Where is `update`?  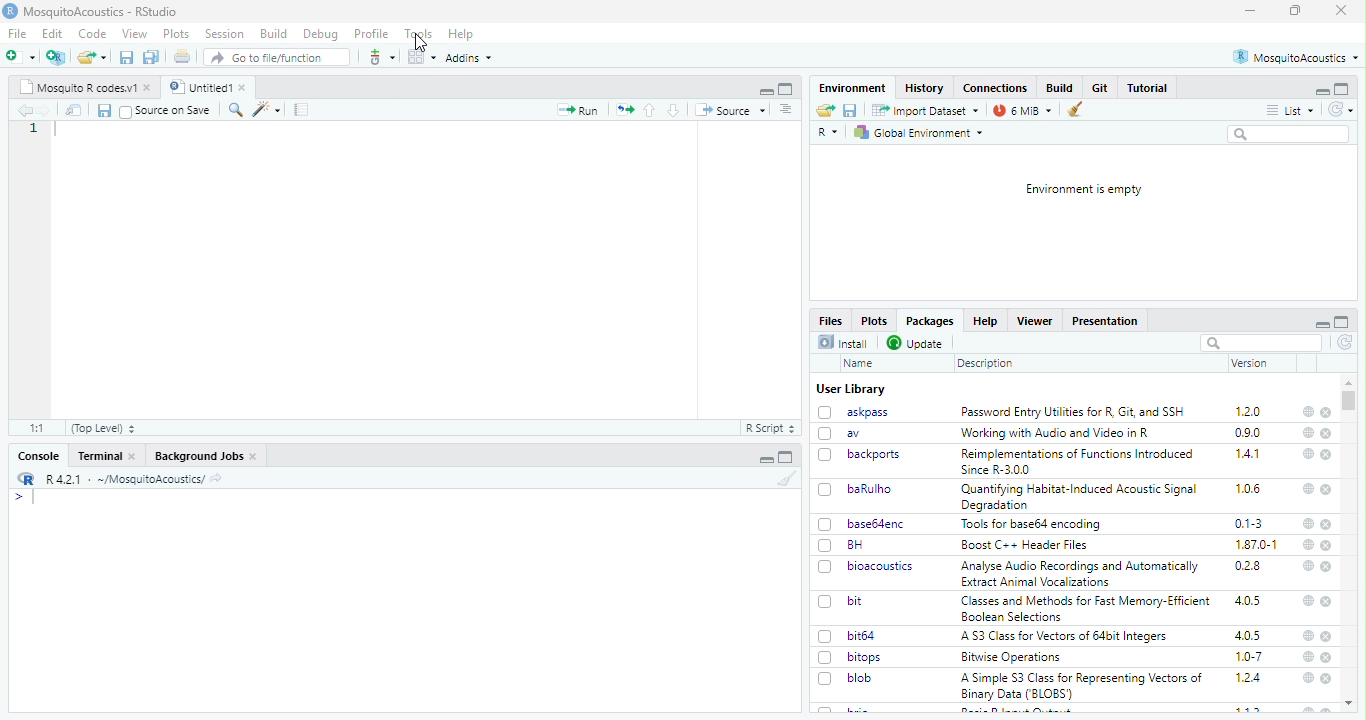
update is located at coordinates (917, 344).